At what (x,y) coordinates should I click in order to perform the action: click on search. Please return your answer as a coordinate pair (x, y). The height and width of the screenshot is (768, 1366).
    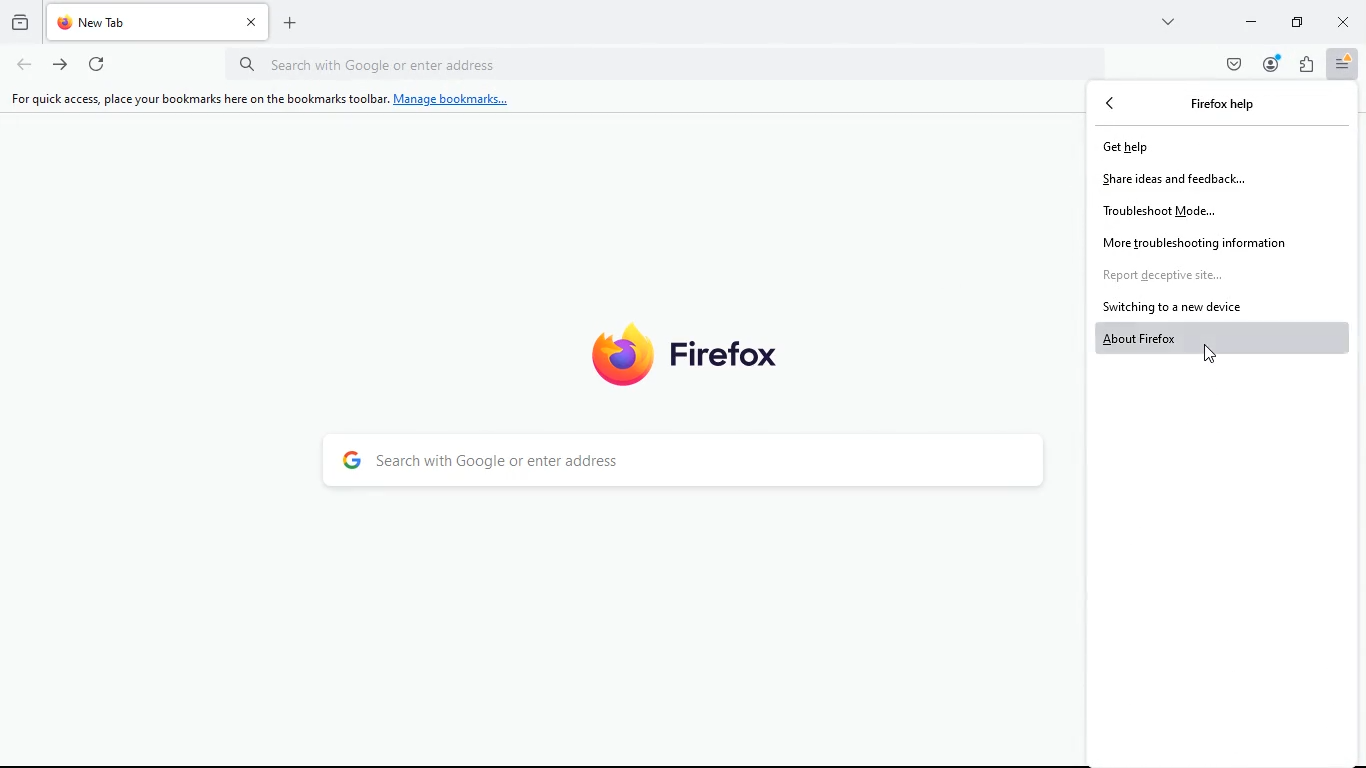
    Looking at the image, I should click on (692, 465).